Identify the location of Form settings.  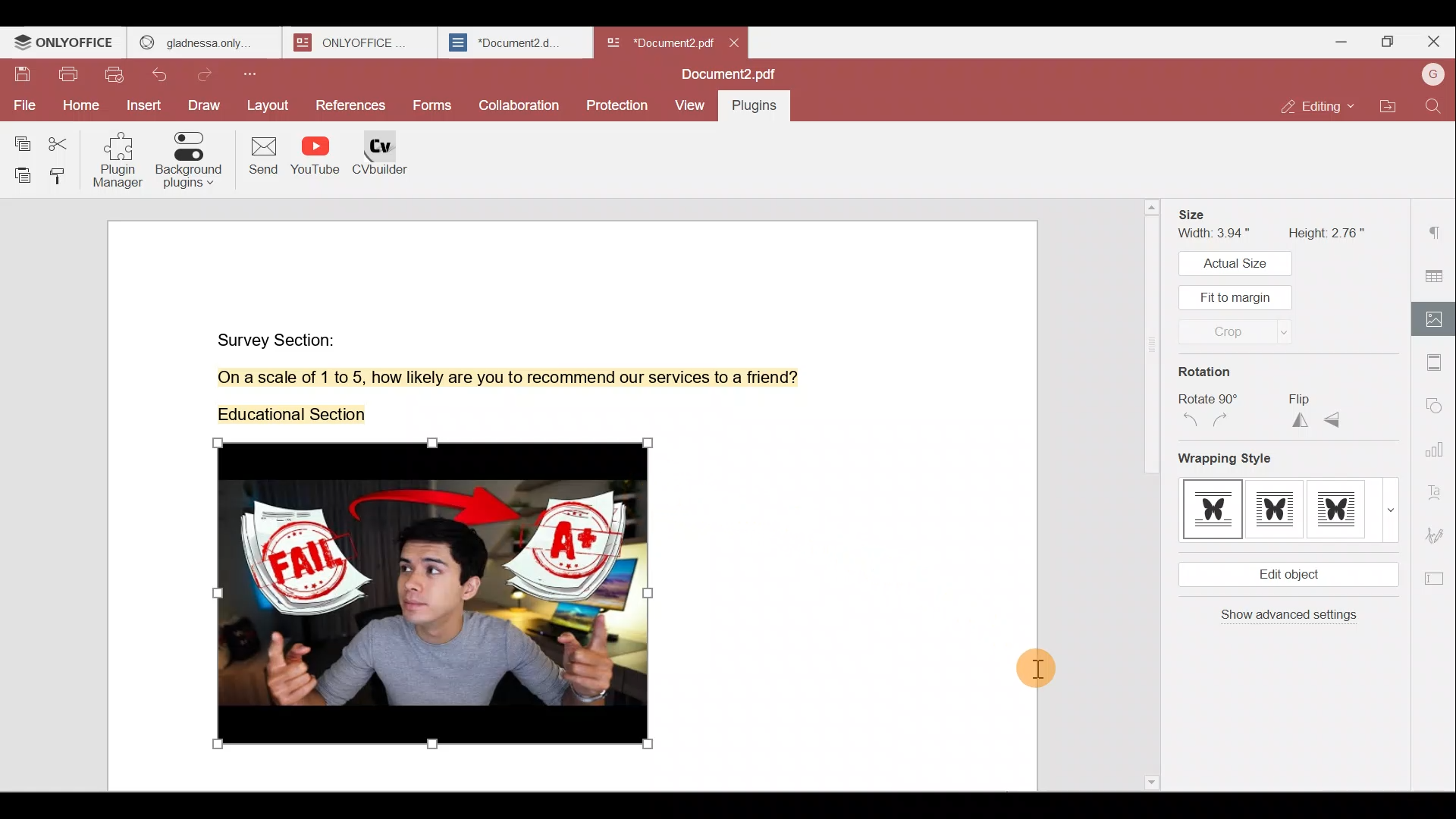
(1429, 579).